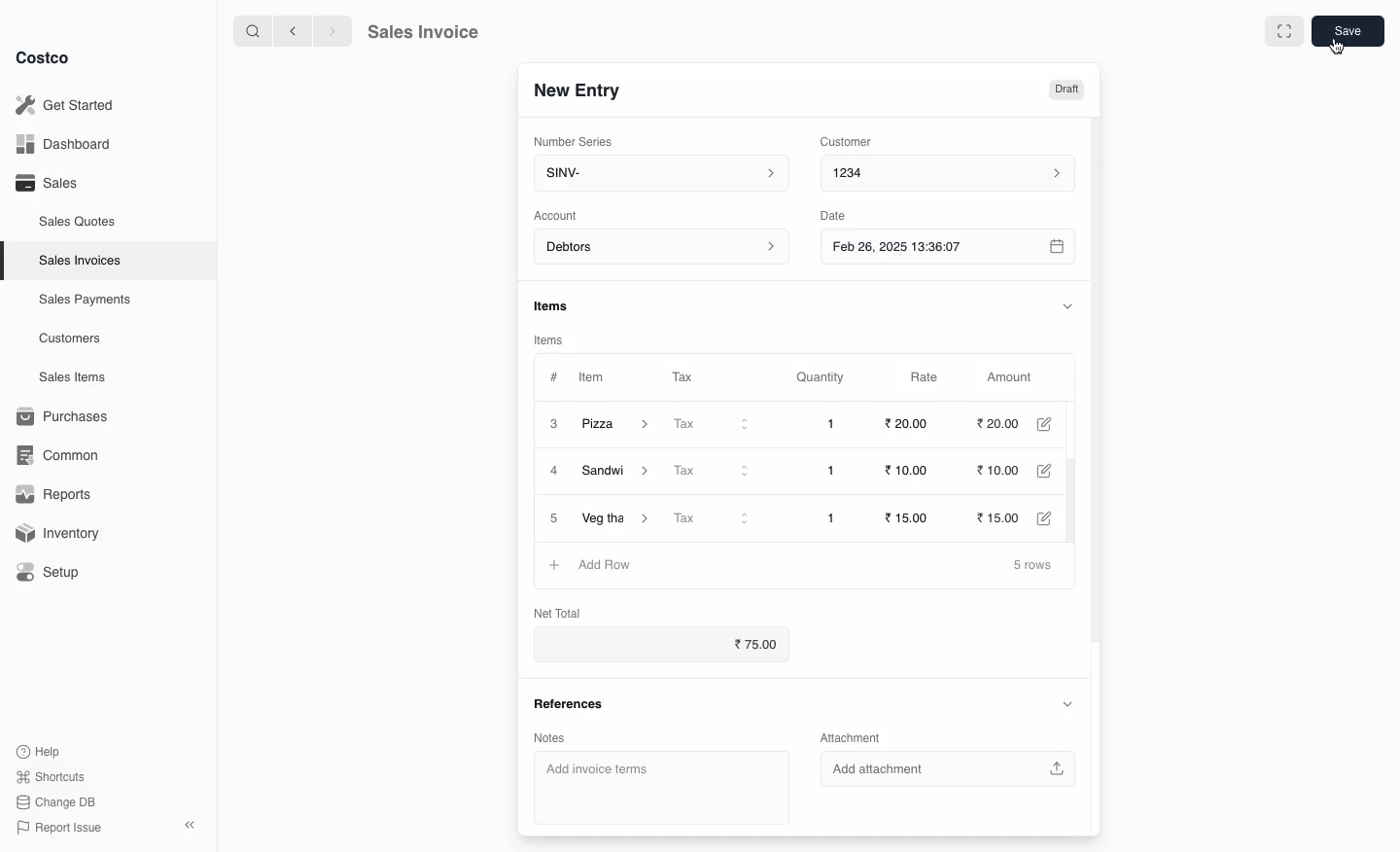 This screenshot has height=852, width=1400. I want to click on Sales Quotes, so click(80, 221).